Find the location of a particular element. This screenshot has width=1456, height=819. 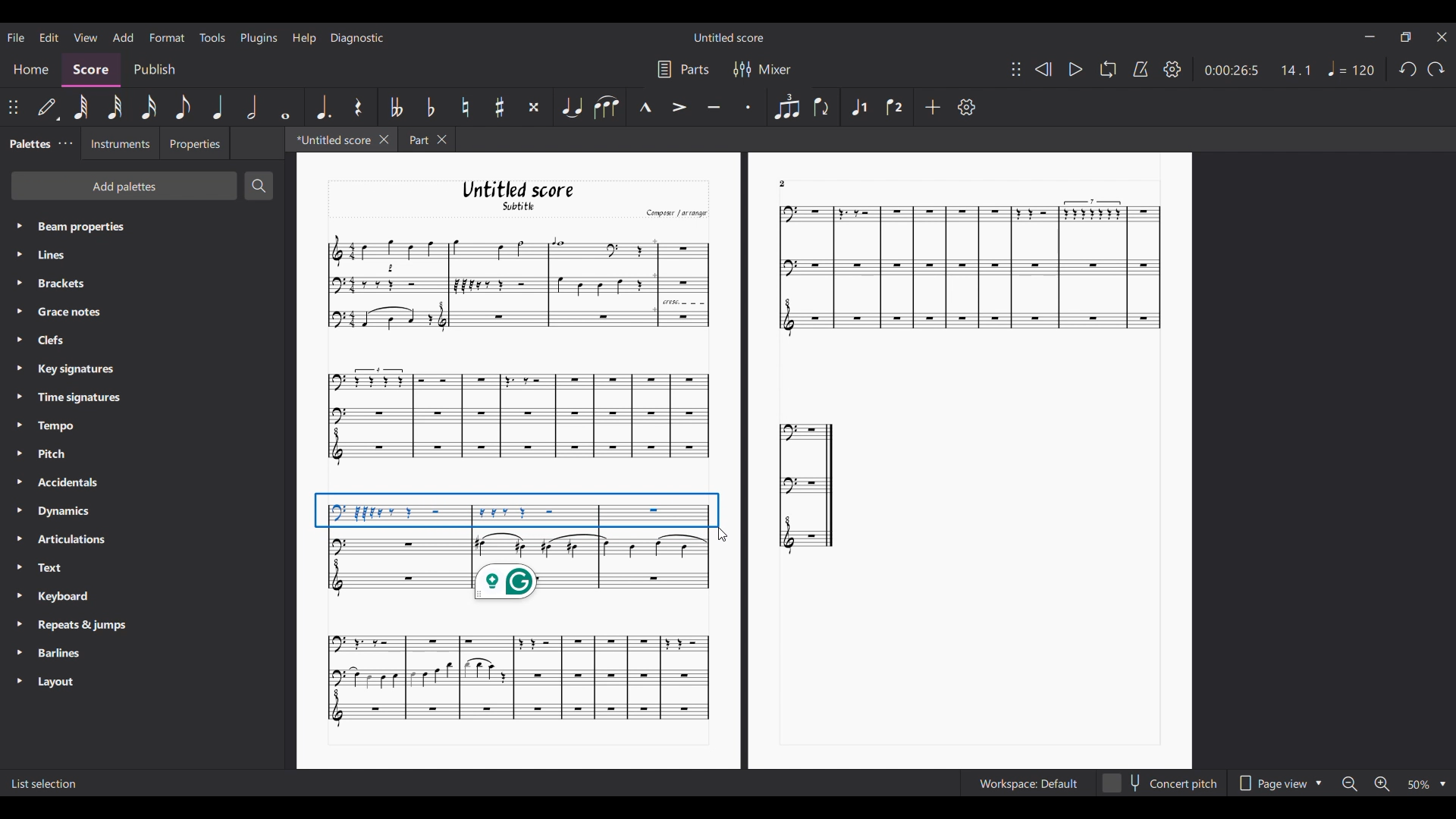

Format menu is located at coordinates (167, 38).